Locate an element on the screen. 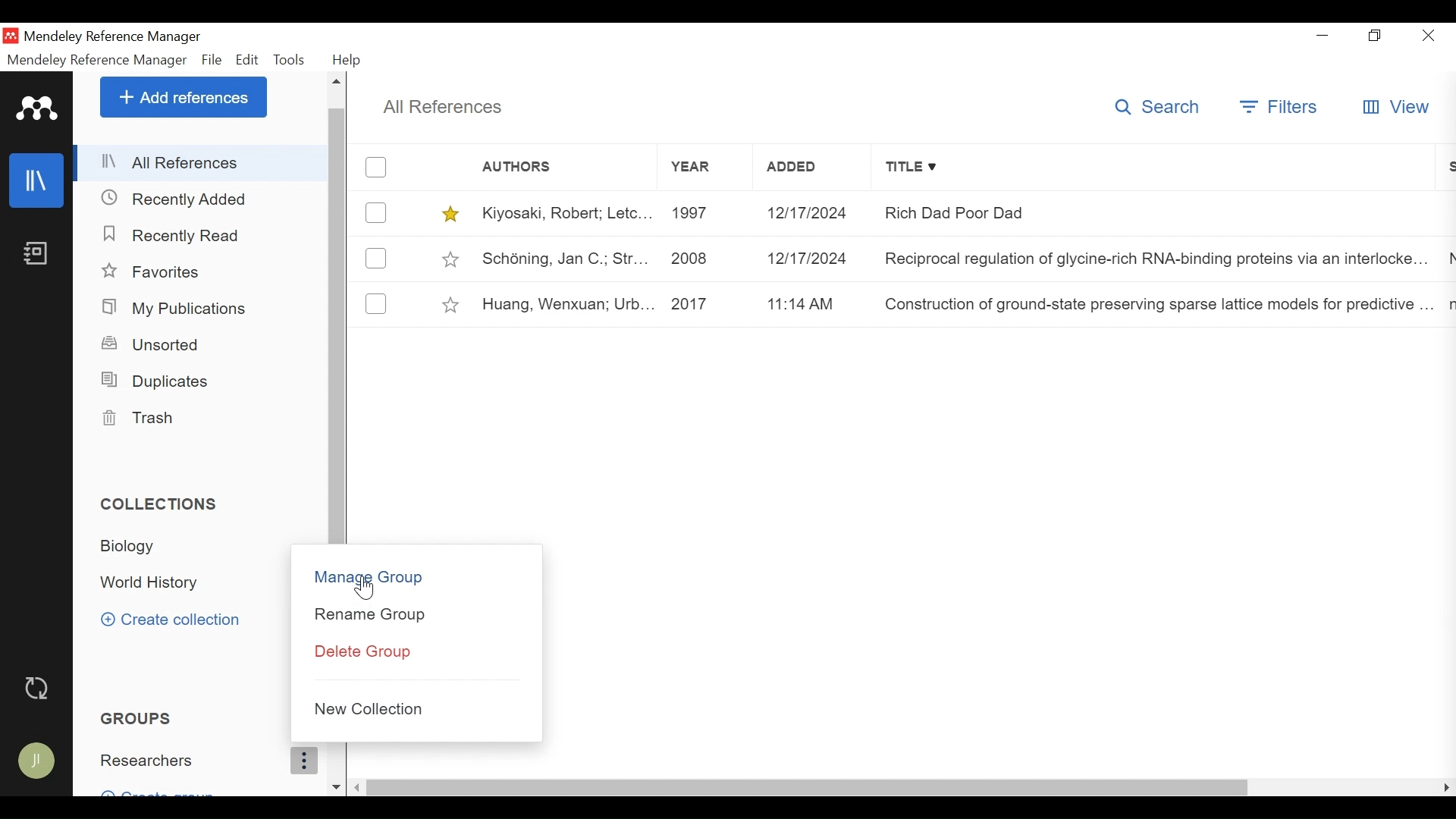 Image resolution: width=1456 pixels, height=819 pixels. Duplicates is located at coordinates (156, 381).